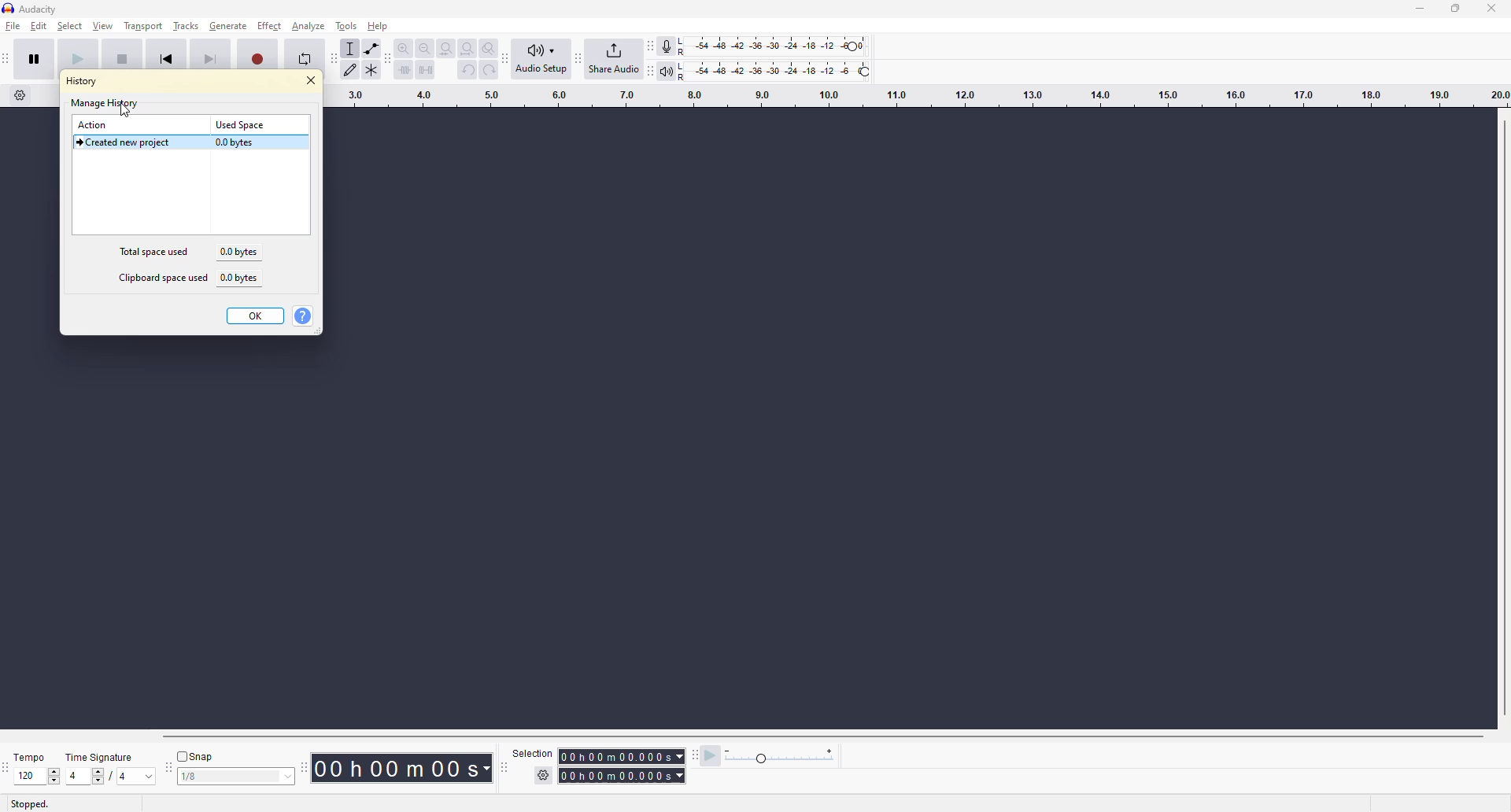 This screenshot has width=1511, height=812. What do you see at coordinates (187, 24) in the screenshot?
I see `tracks` at bounding box center [187, 24].